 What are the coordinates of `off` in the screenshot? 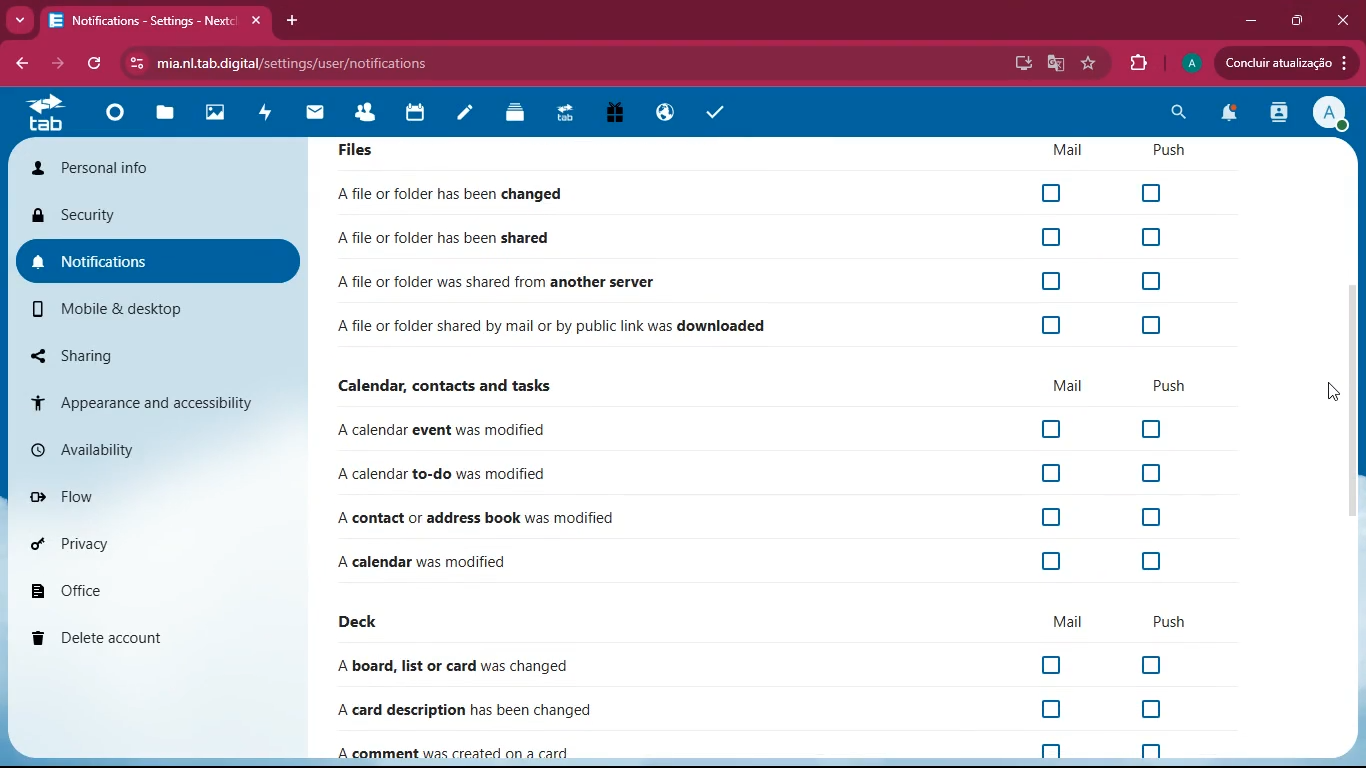 It's located at (1054, 520).